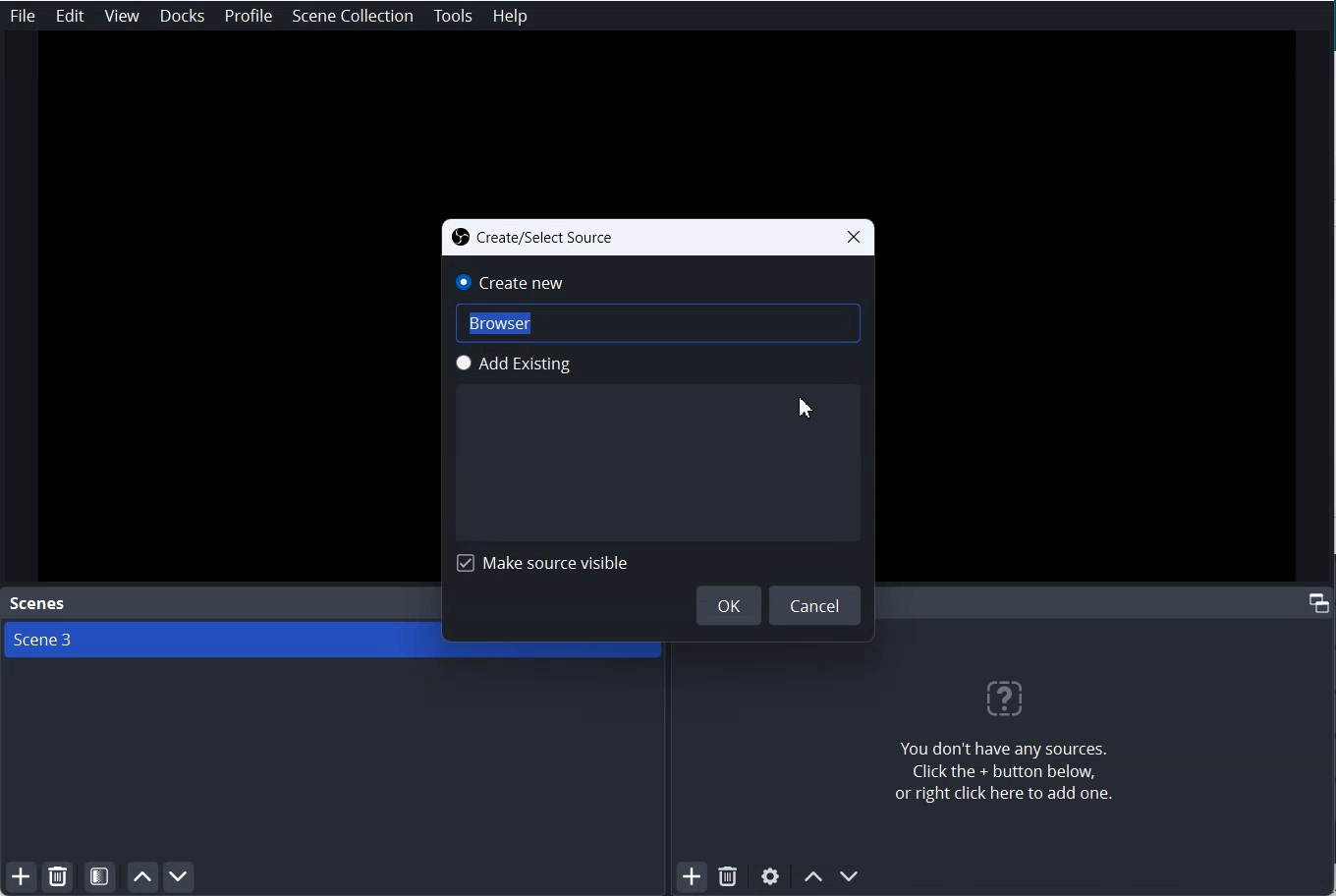  What do you see at coordinates (850, 875) in the screenshot?
I see `Move Source Down` at bounding box center [850, 875].